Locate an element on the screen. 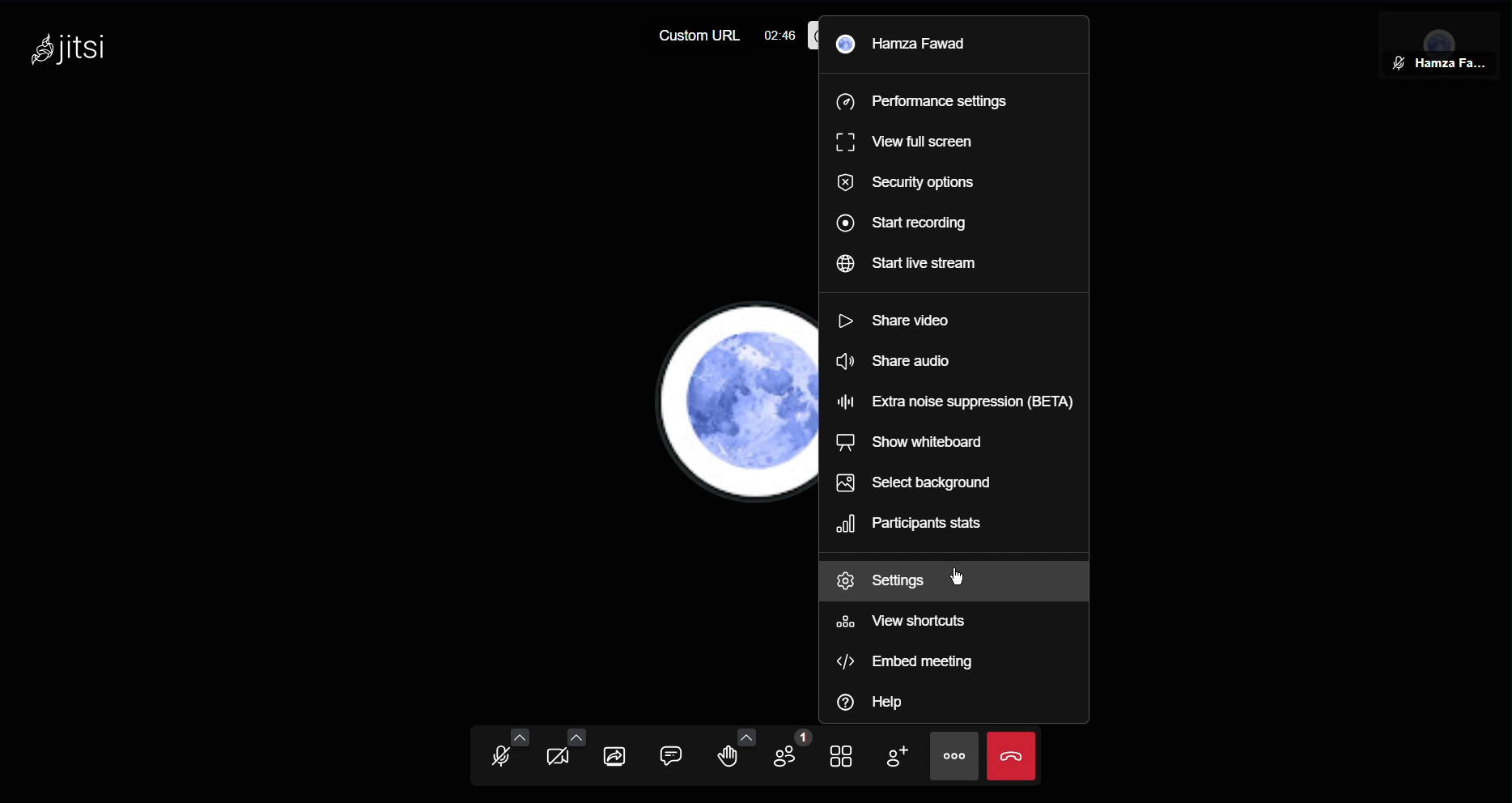 The height and width of the screenshot is (803, 1512). Tile View Toggle is located at coordinates (847, 755).